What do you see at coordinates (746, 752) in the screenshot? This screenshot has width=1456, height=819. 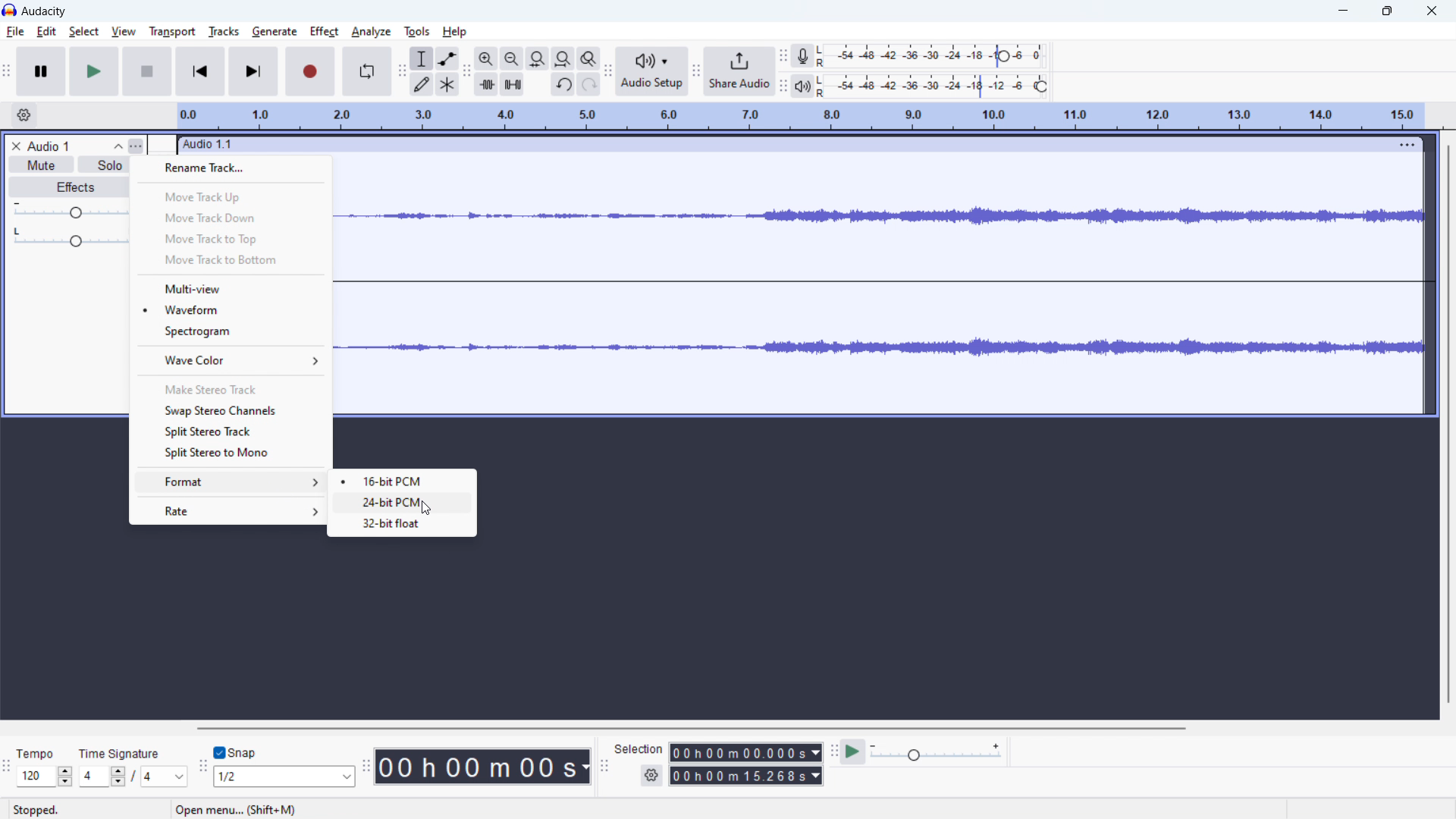 I see `start time` at bounding box center [746, 752].